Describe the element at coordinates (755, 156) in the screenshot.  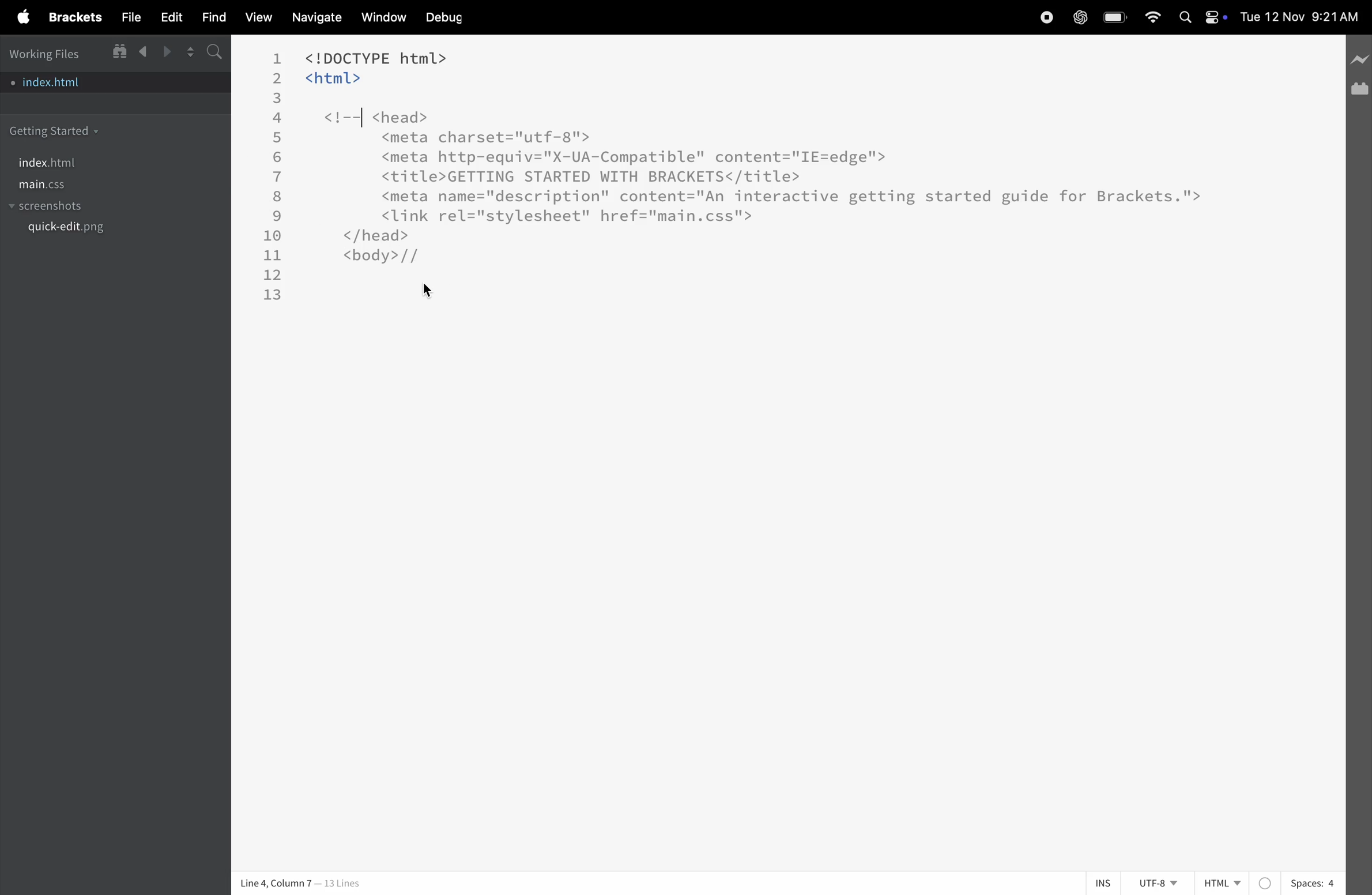
I see `<!DOCTYPE html>
<html>
<!--| <head>
<meta charset="utf-8">
<meta http-equiv="X-UA-Compatible" content="IE=edge'">
<title>GETTING STARTED WITH BRACKETS</title>
<meta name="description" content="An interactive getting started guide for Brackets.">
<link rel="stylesheet" href="main.css">
</head>
<body>//` at that location.